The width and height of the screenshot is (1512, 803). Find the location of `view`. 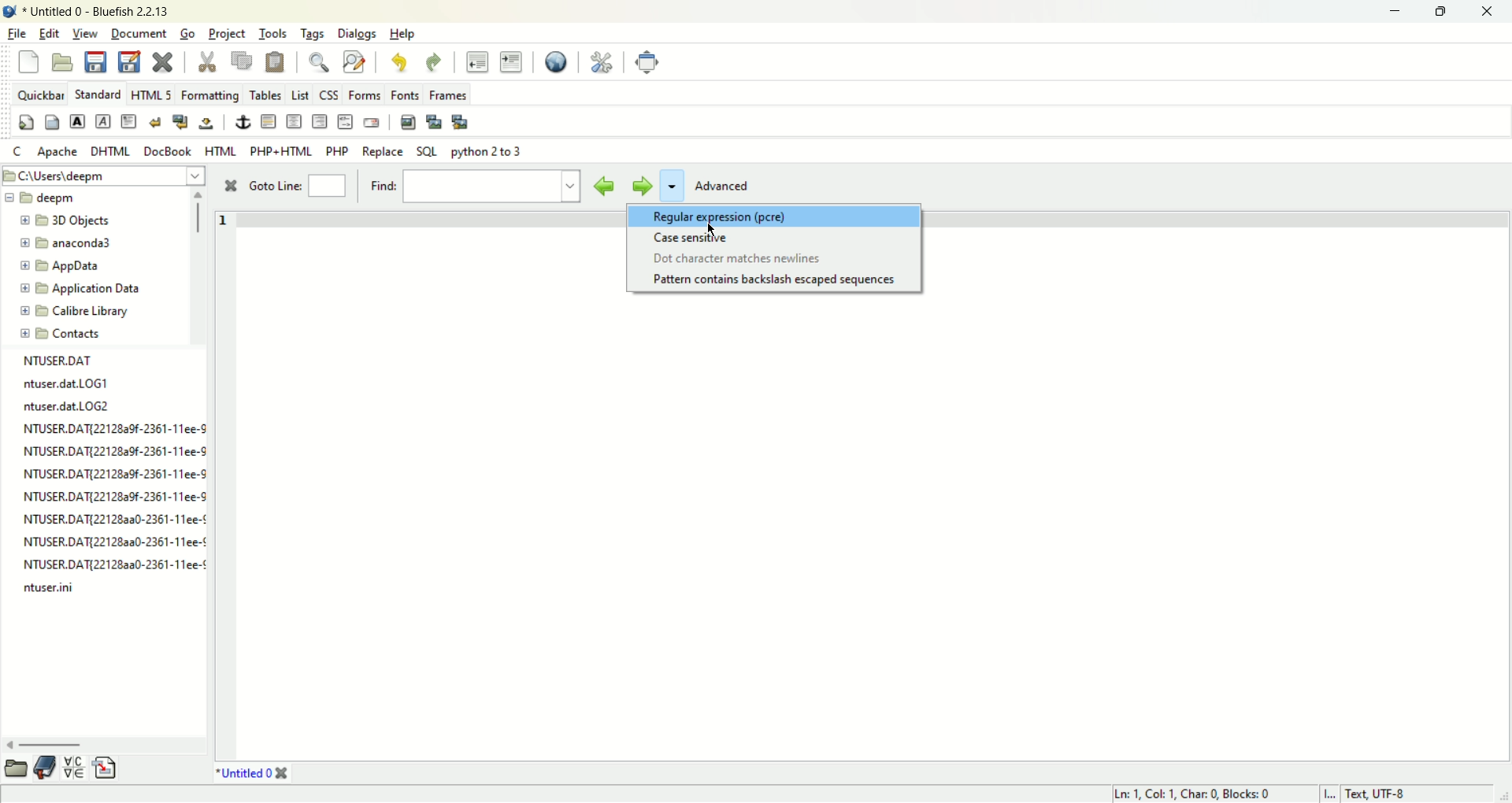

view is located at coordinates (87, 34).